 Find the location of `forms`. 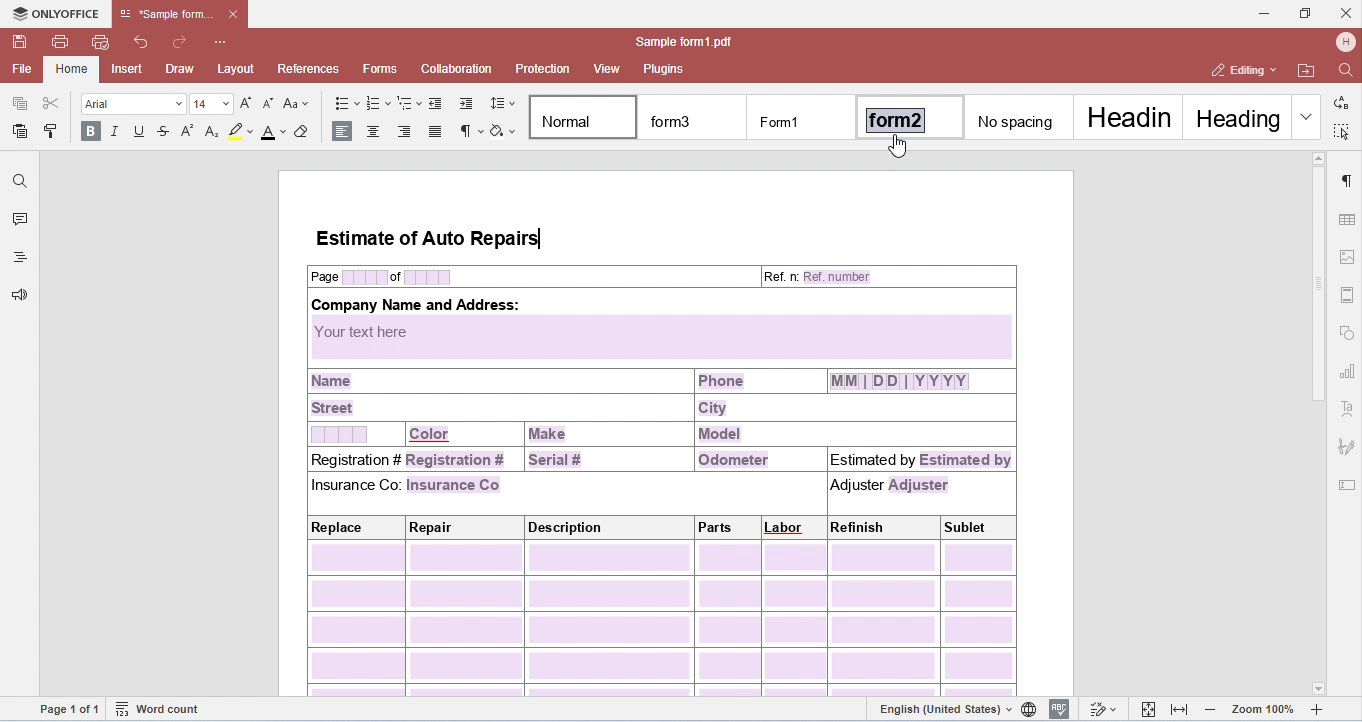

forms is located at coordinates (381, 69).